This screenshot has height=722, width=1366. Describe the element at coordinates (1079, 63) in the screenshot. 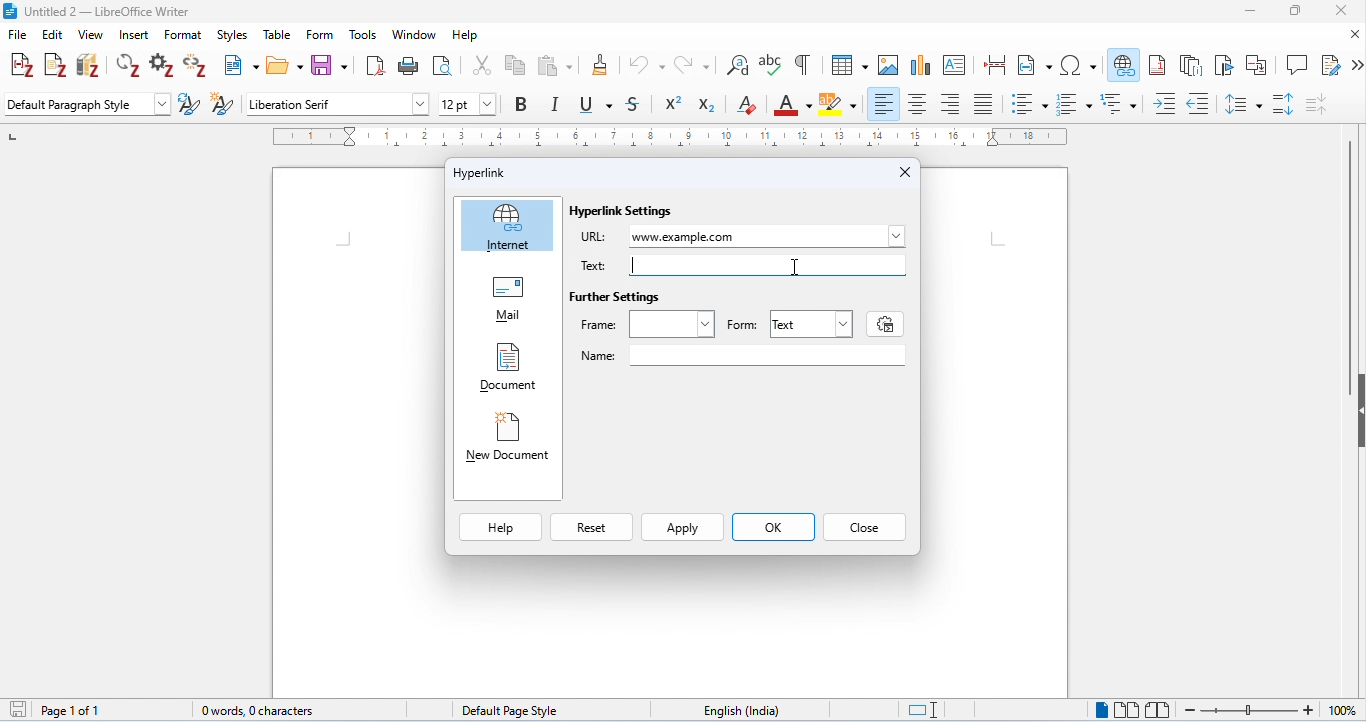

I see `insert special characters` at that location.